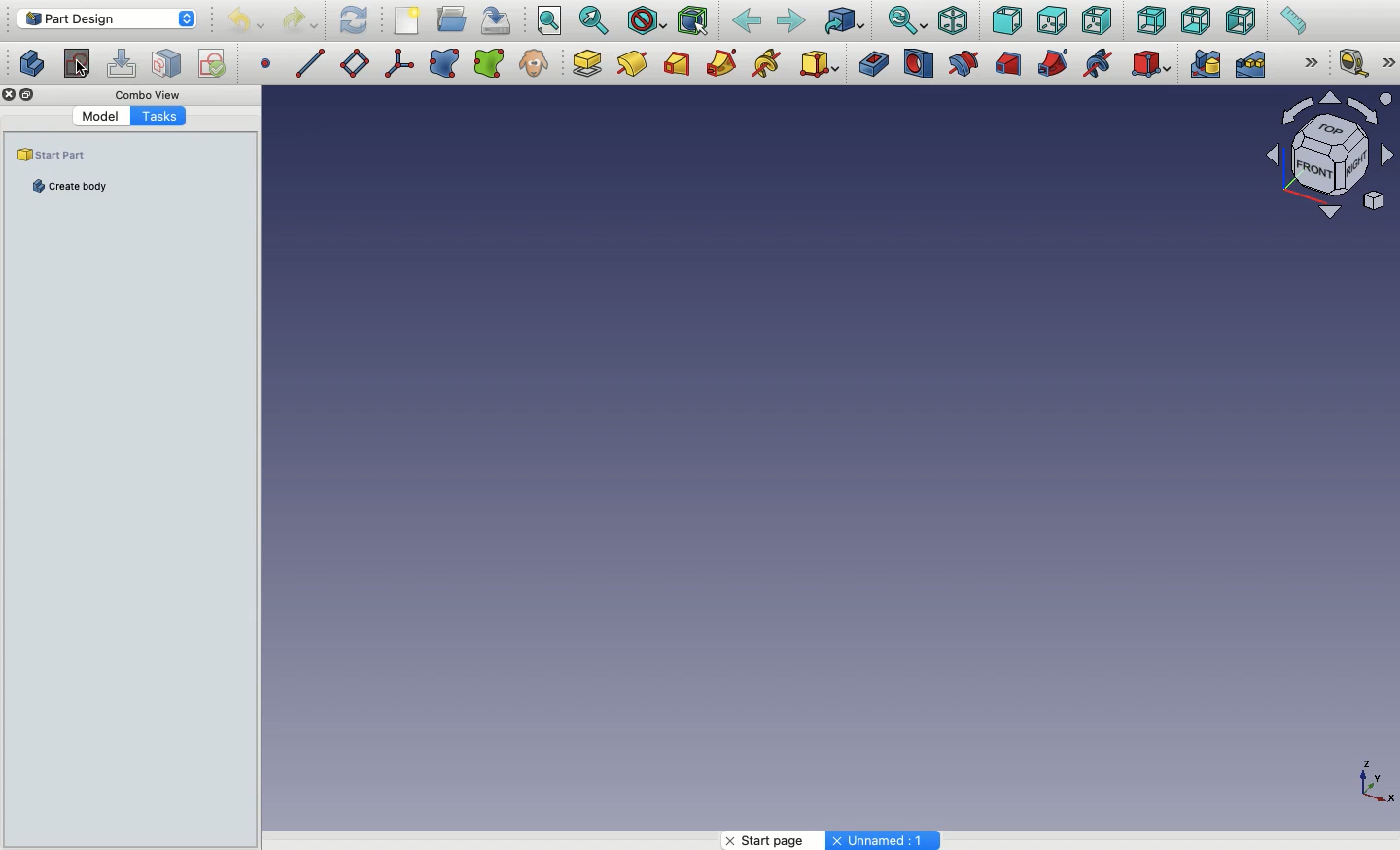 The height and width of the screenshot is (850, 1400). What do you see at coordinates (1352, 64) in the screenshot?
I see `Measure linear` at bounding box center [1352, 64].